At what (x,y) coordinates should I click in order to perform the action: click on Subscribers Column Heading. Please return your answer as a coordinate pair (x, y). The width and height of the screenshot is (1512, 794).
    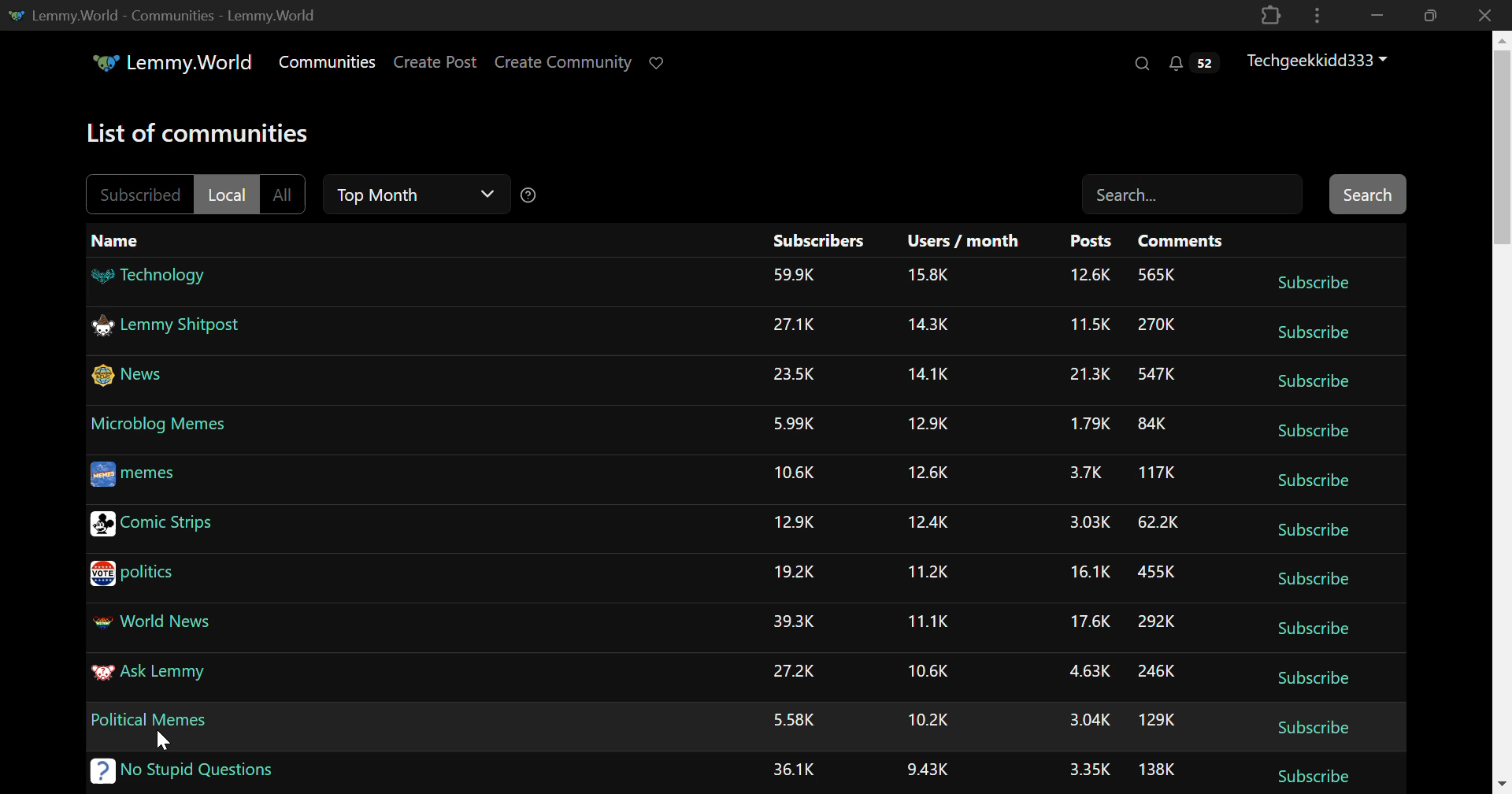
    Looking at the image, I should click on (817, 240).